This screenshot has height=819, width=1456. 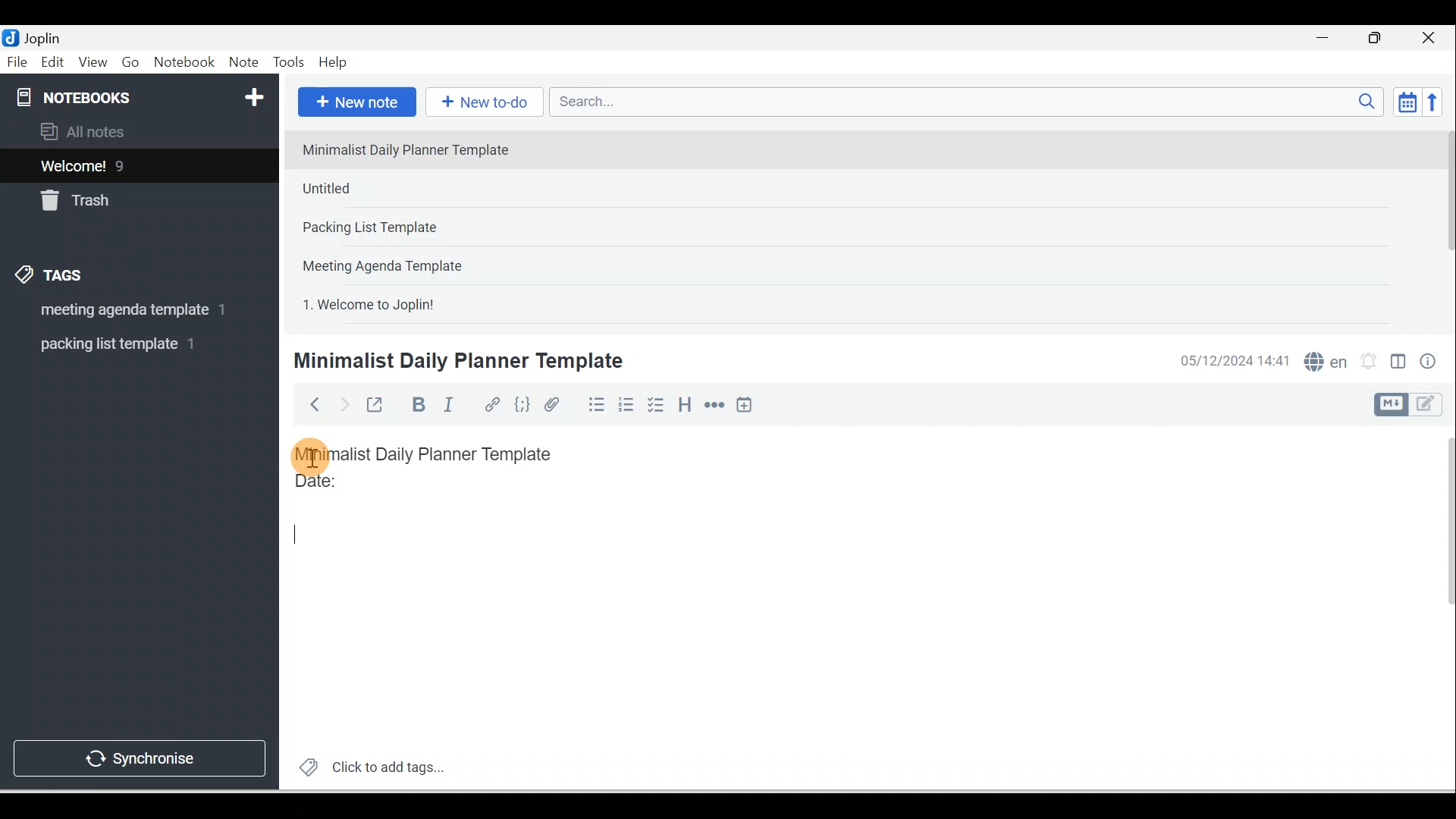 What do you see at coordinates (377, 408) in the screenshot?
I see `Toggle external editing` at bounding box center [377, 408].